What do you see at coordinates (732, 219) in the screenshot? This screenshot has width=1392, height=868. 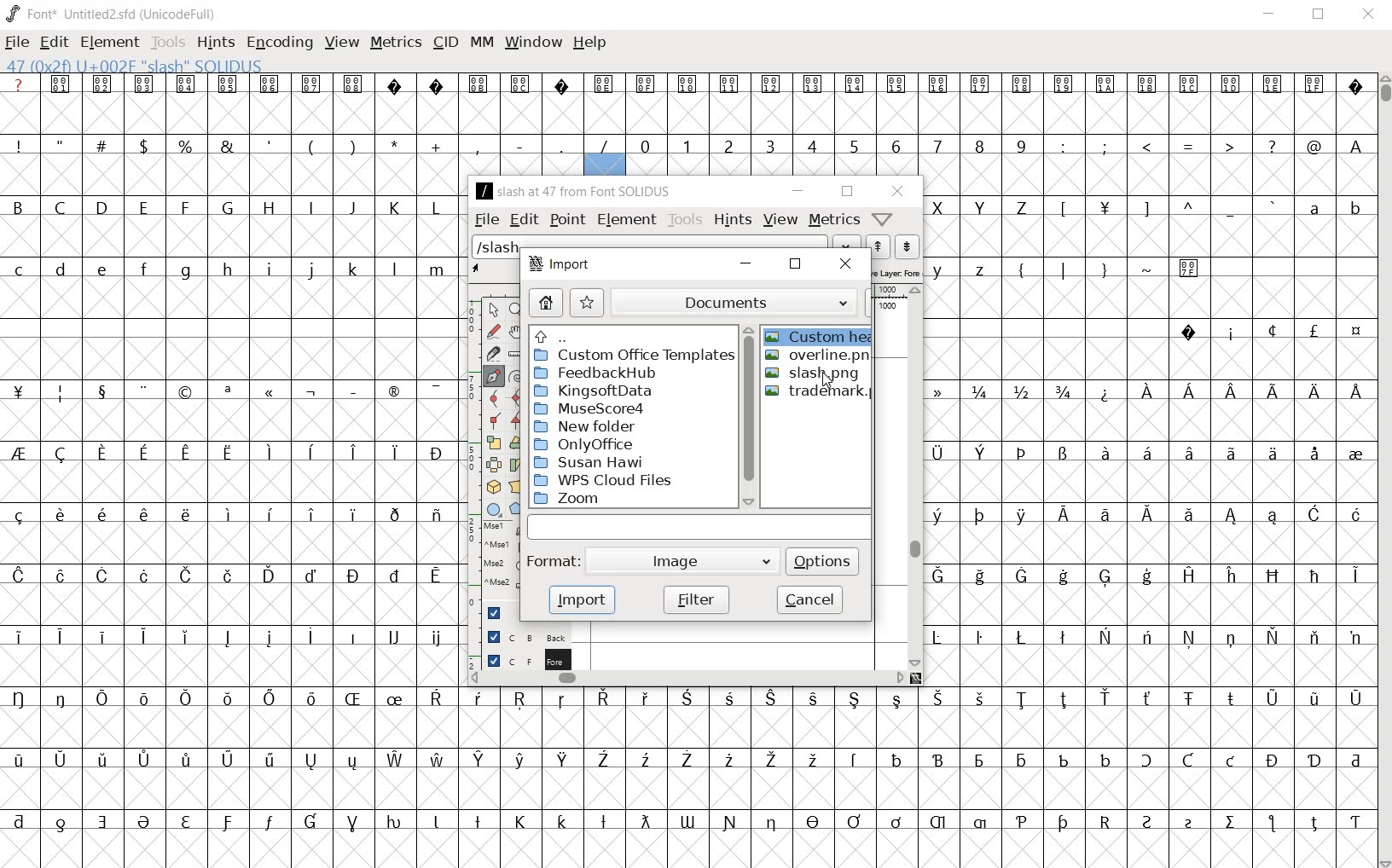 I see `hints` at bounding box center [732, 219].